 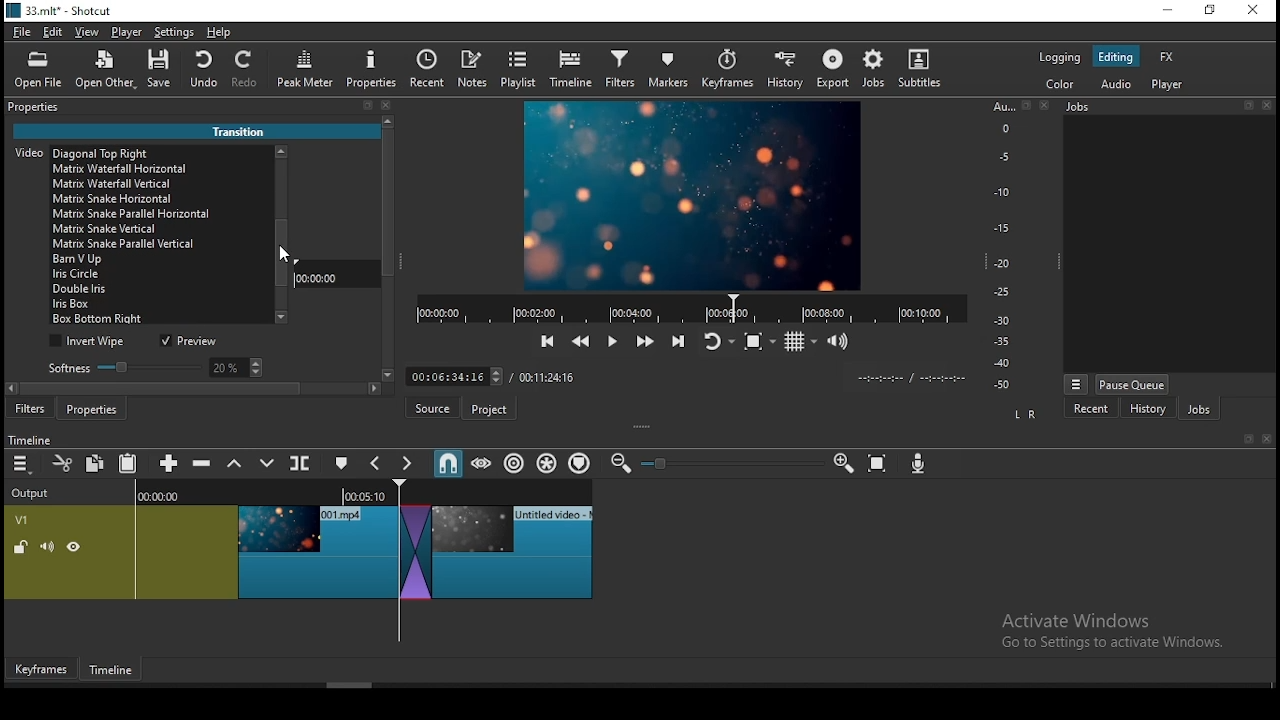 What do you see at coordinates (1116, 58) in the screenshot?
I see `editing` at bounding box center [1116, 58].